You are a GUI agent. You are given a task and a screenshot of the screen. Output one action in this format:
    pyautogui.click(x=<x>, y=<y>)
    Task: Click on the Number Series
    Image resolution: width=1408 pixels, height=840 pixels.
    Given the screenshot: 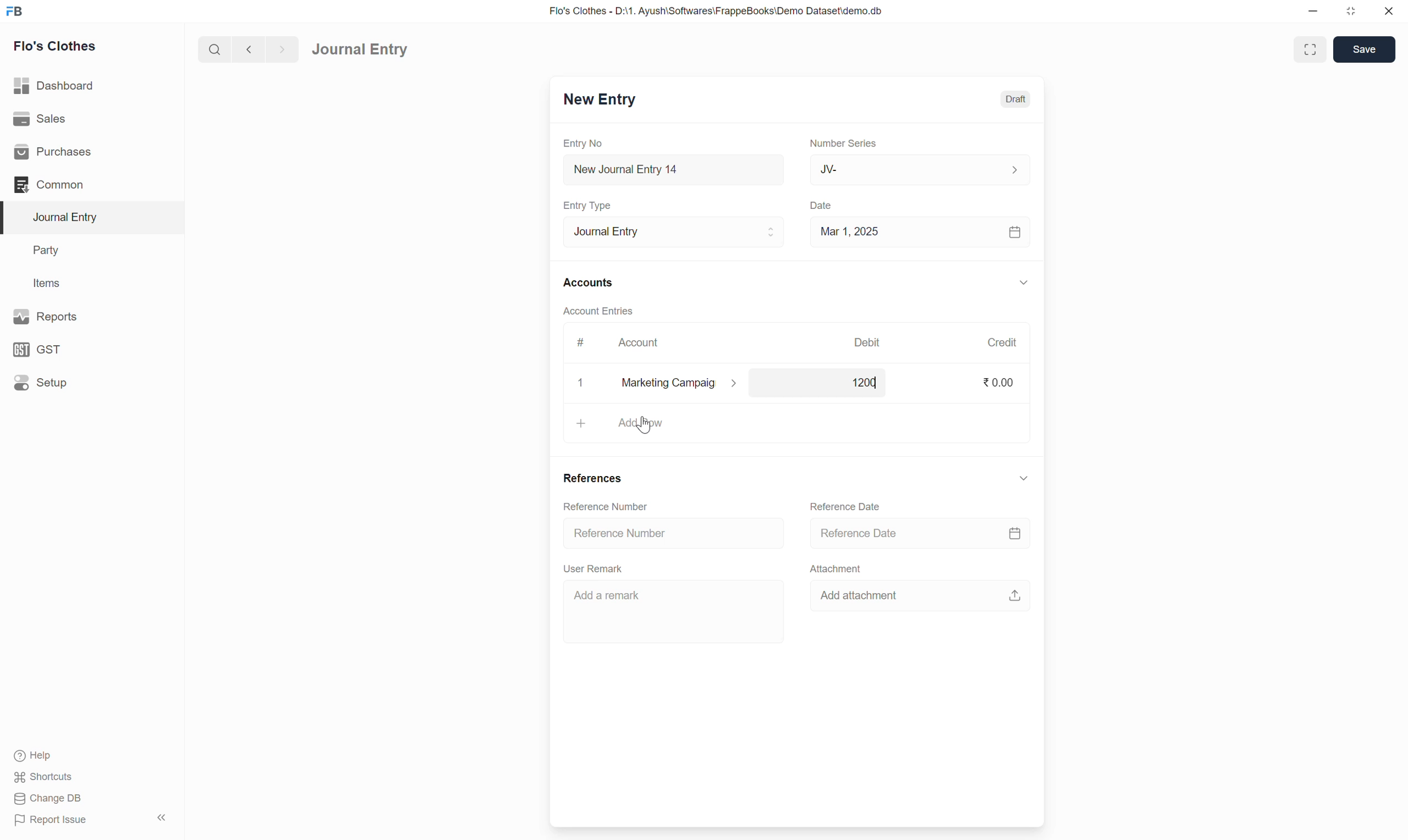 What is the action you would take?
    pyautogui.click(x=844, y=142)
    